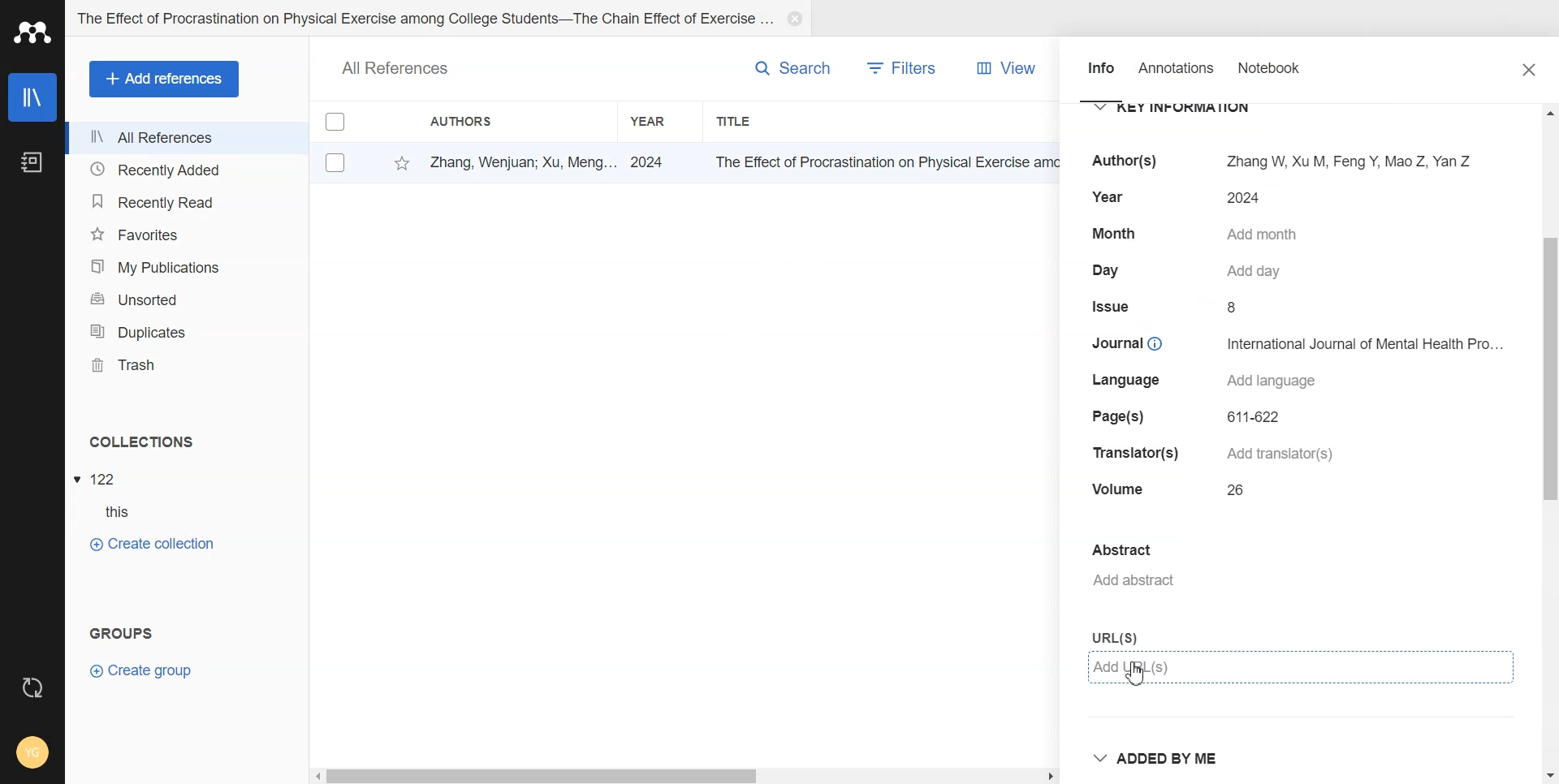  Describe the element at coordinates (336, 165) in the screenshot. I see `Checkbox` at that location.